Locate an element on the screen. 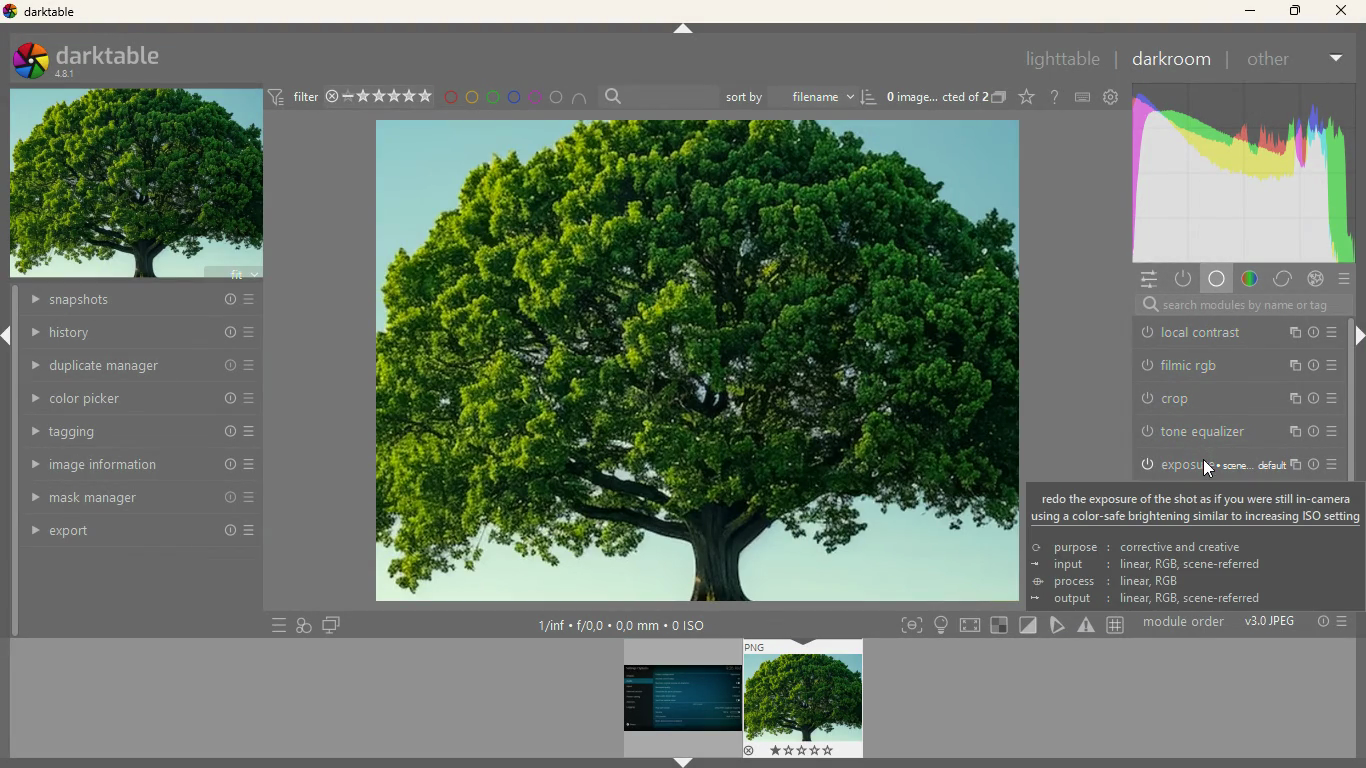 The width and height of the screenshot is (1366, 768). frame is located at coordinates (908, 624).